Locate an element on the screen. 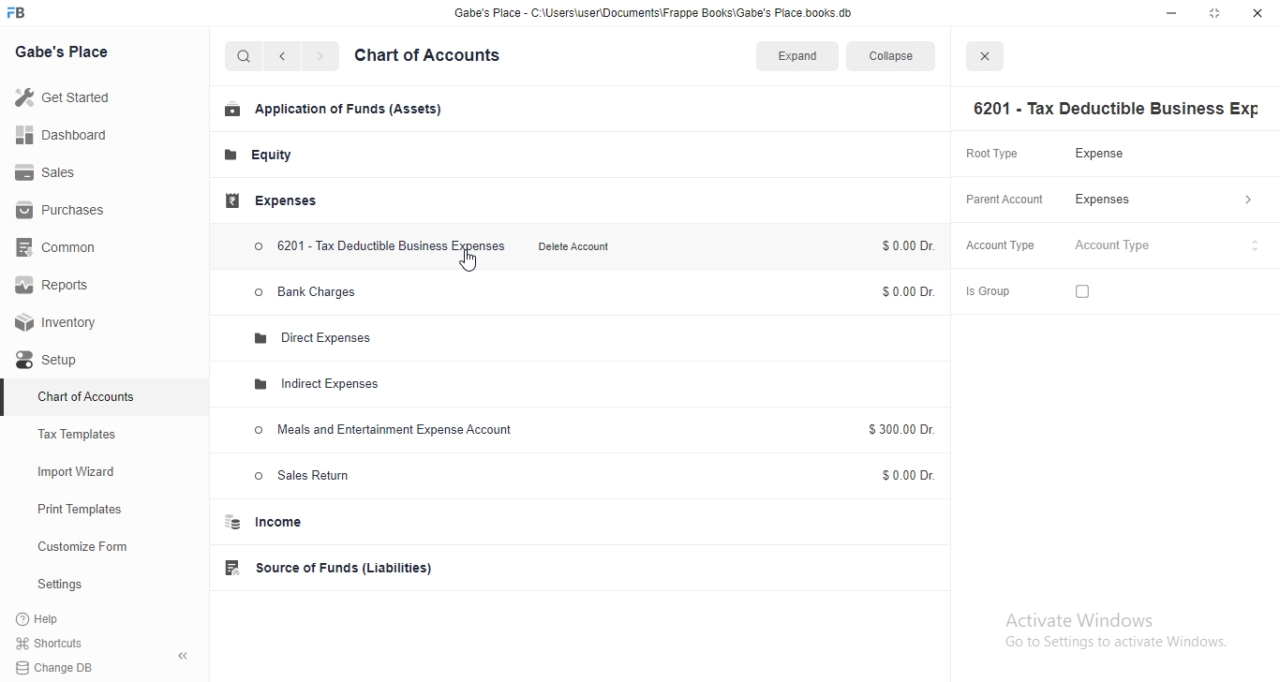  Activate Windows
Go to Settings to activate Windows. is located at coordinates (1113, 638).